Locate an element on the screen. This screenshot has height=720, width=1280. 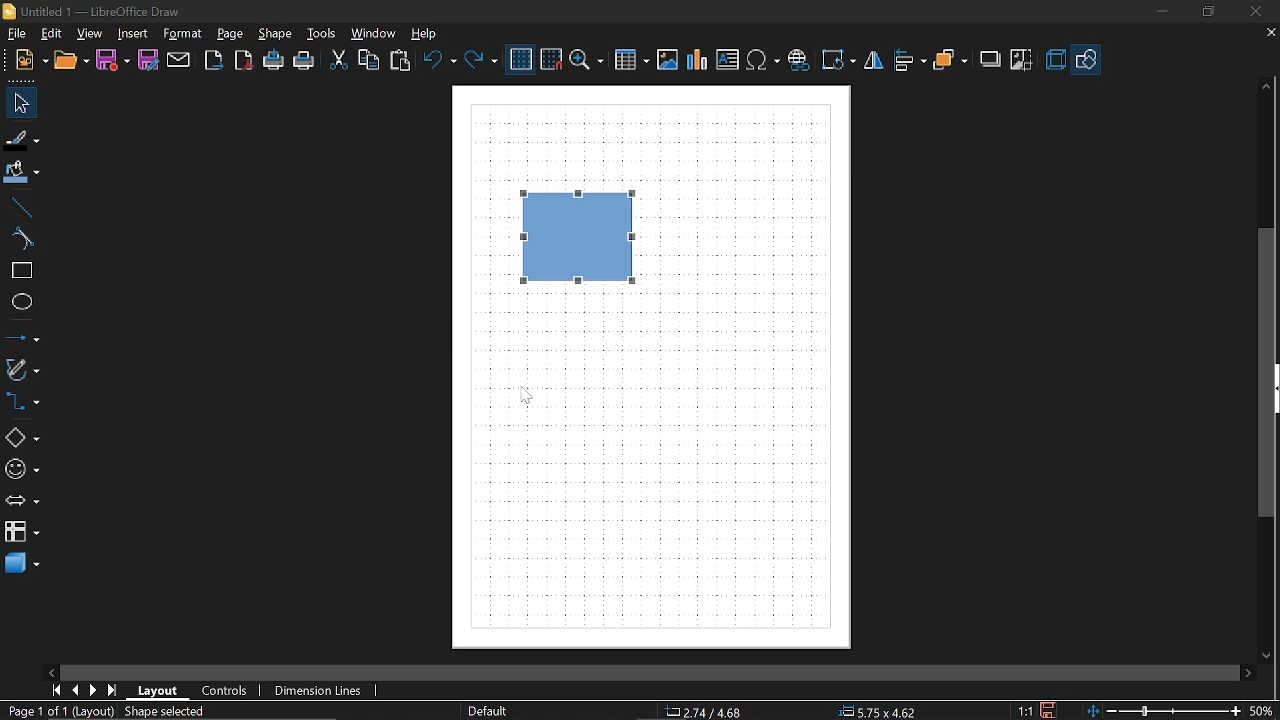
Attach is located at coordinates (180, 61).